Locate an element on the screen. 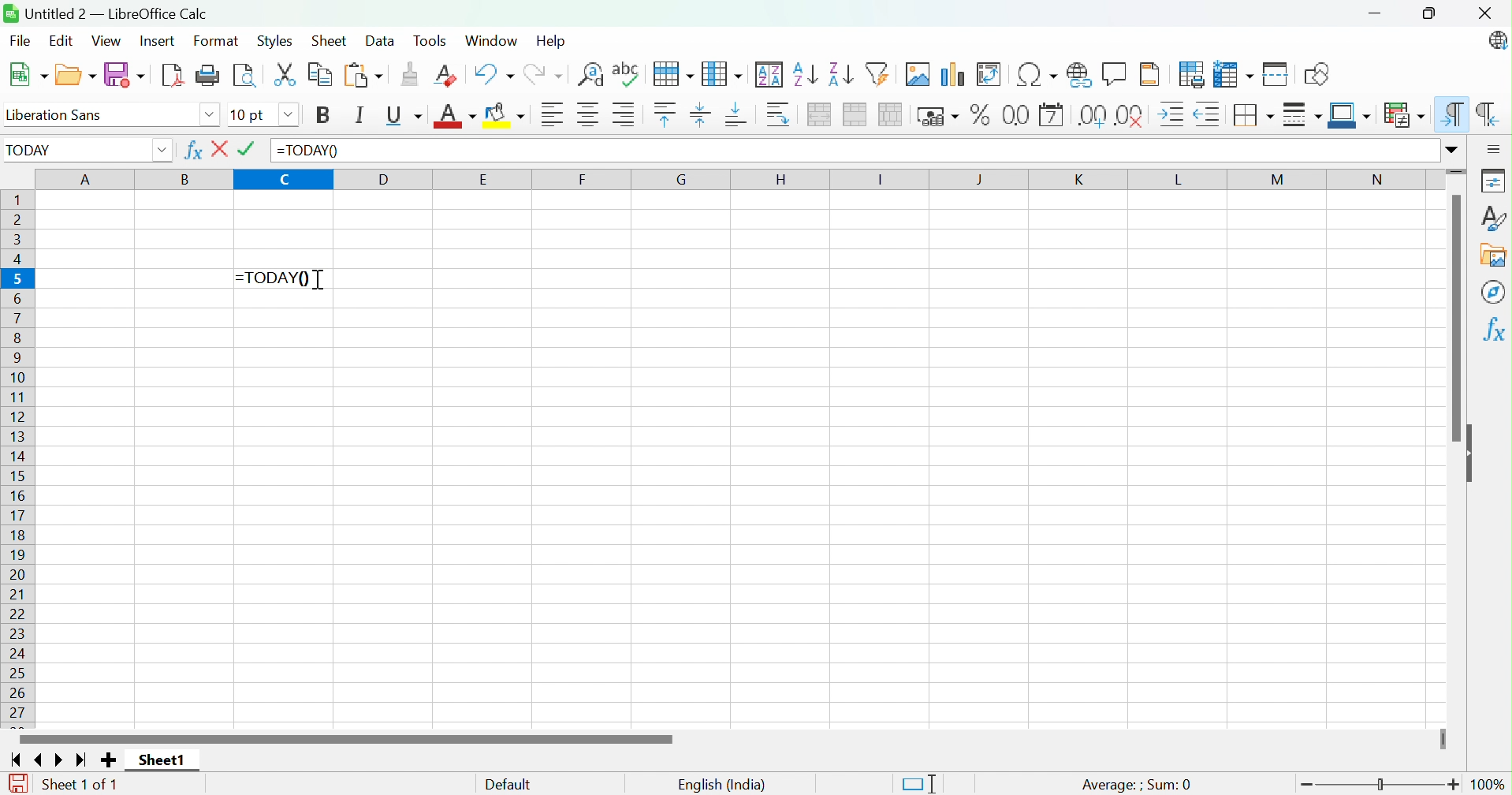 The height and width of the screenshot is (795, 1512). Export as PDF is located at coordinates (170, 75).